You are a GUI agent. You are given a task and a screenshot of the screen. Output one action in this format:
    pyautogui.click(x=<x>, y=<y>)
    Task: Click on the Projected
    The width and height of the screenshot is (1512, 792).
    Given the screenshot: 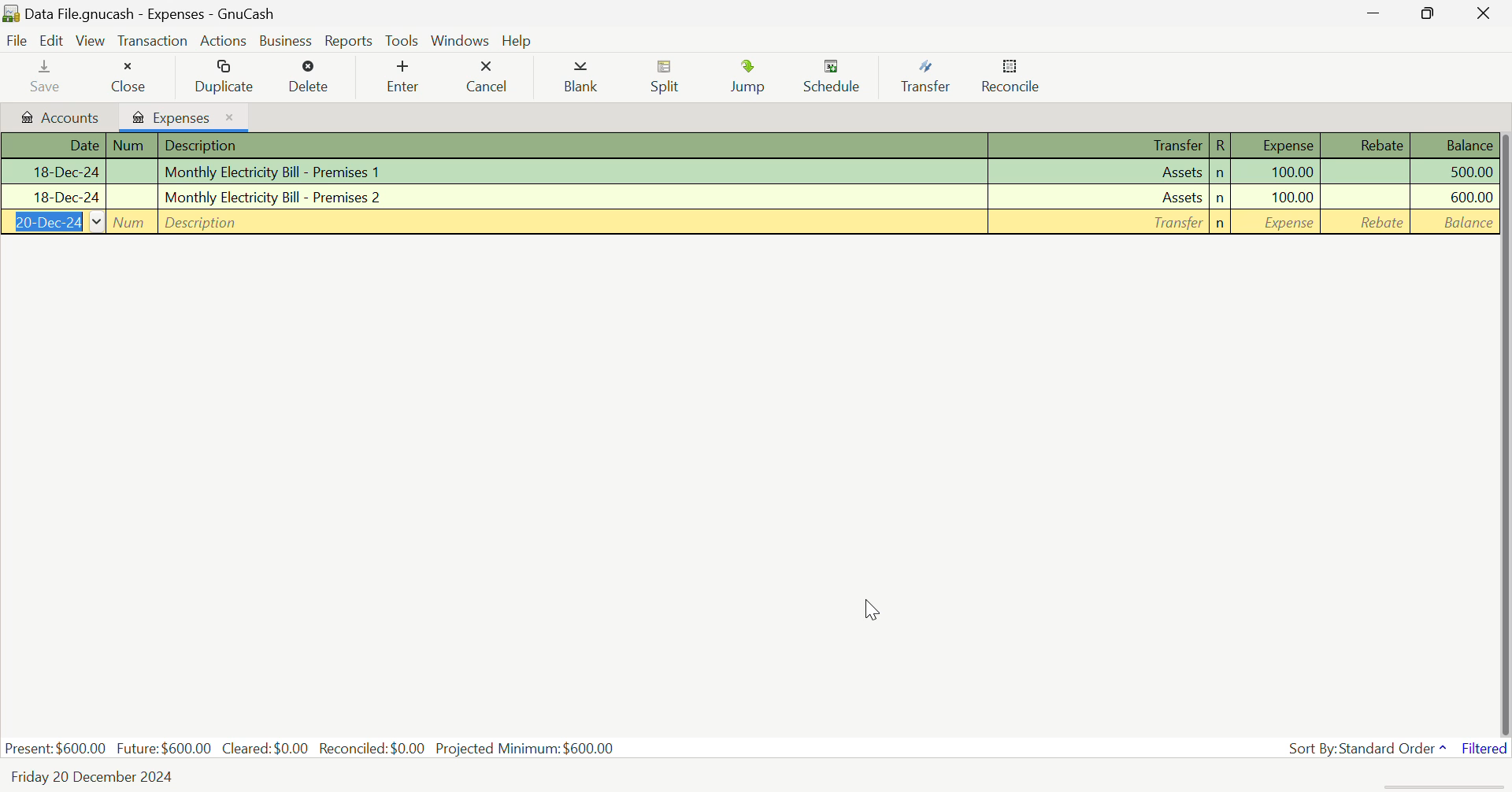 What is the action you would take?
    pyautogui.click(x=524, y=748)
    